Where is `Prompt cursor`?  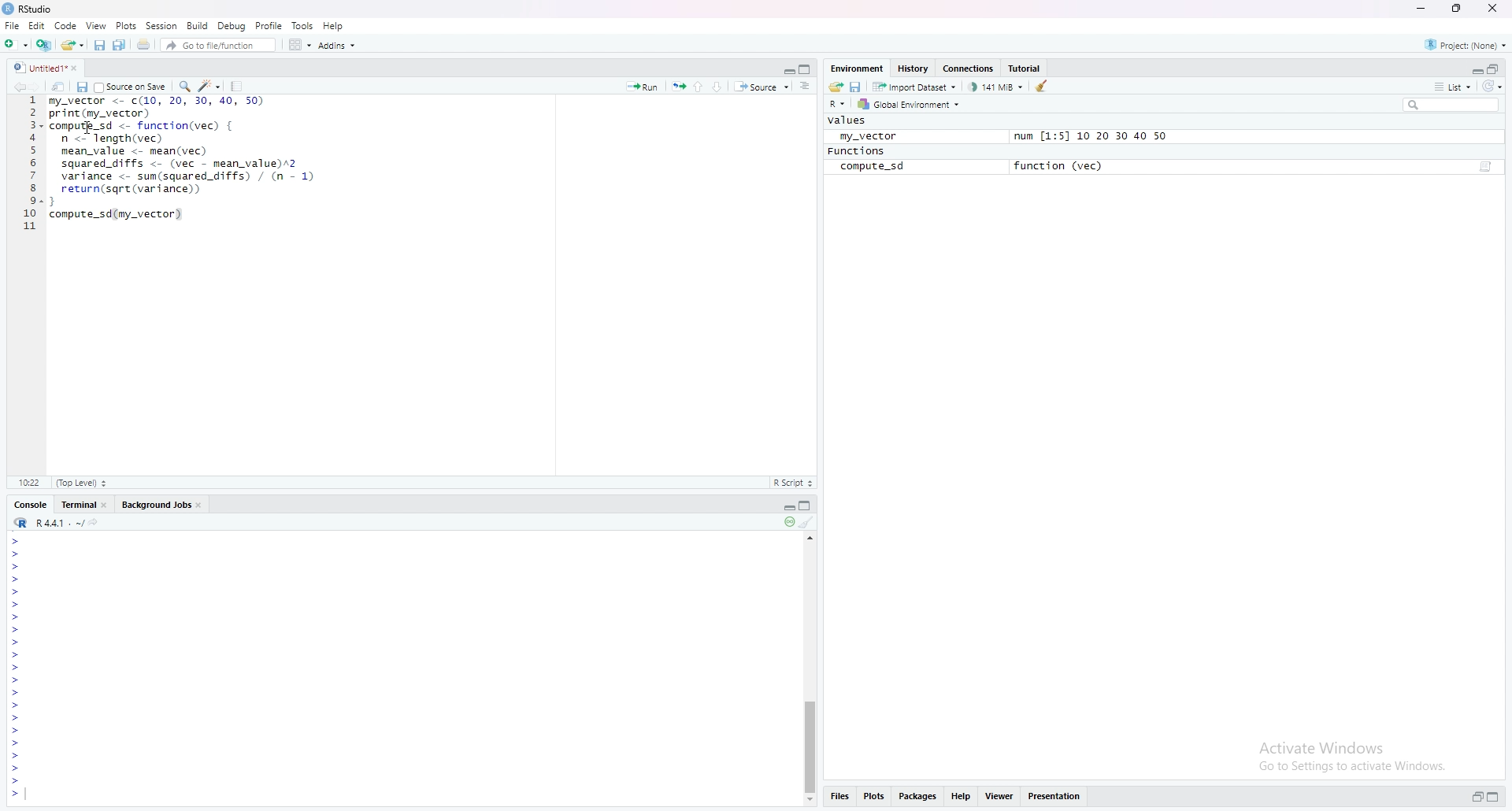 Prompt cursor is located at coordinates (18, 719).